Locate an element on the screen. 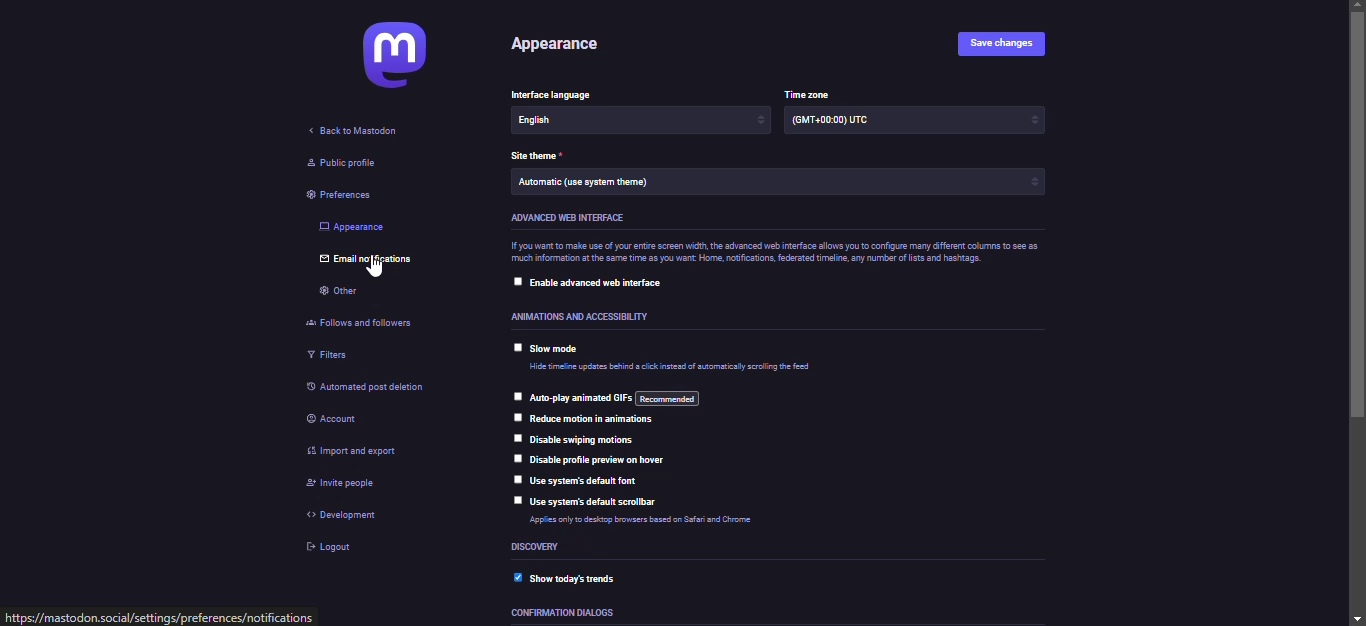 The height and width of the screenshot is (626, 1366). account is located at coordinates (339, 420).